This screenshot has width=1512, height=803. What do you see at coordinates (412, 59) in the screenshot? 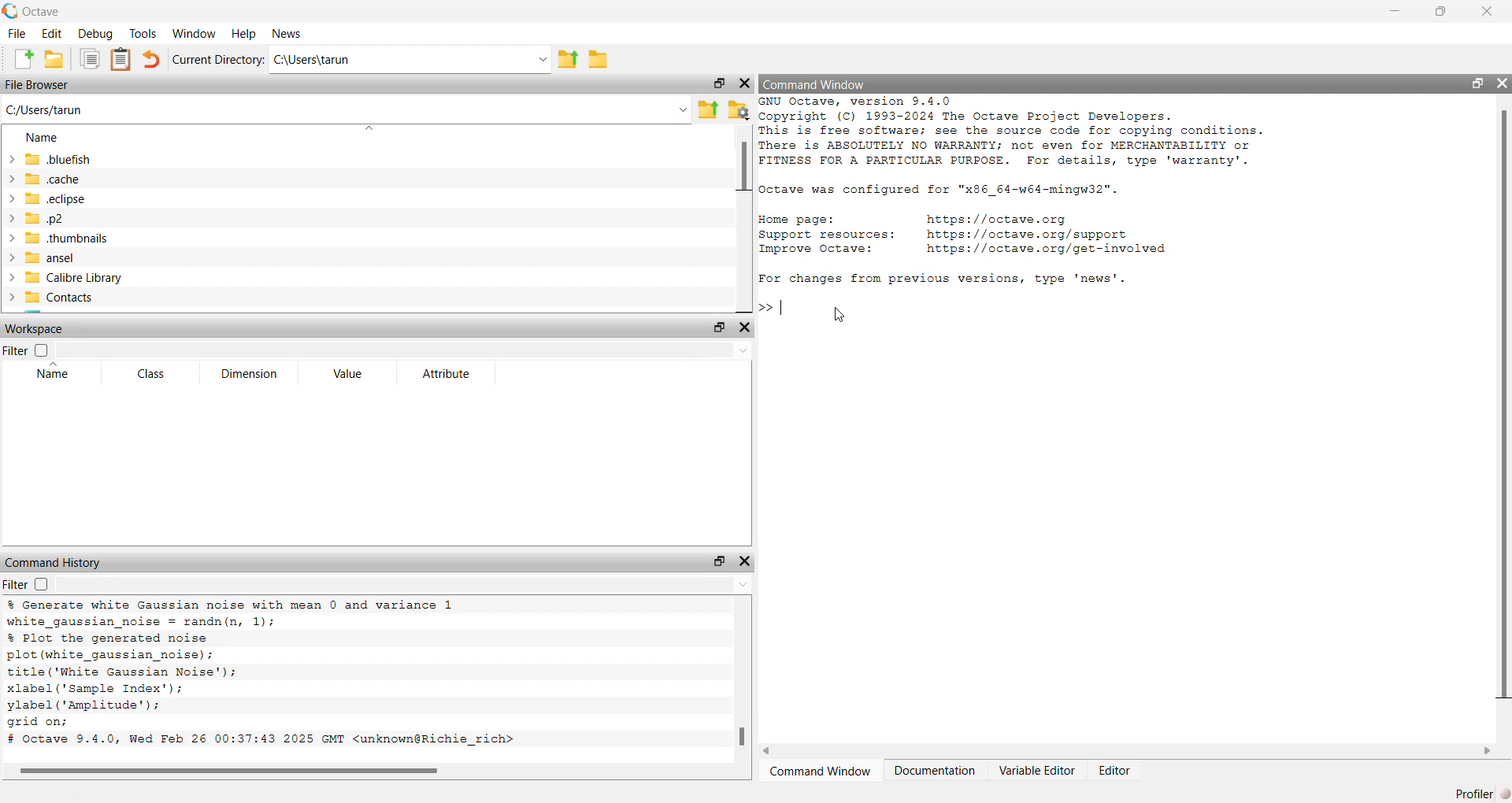
I see `Ci\Users\tarun -.` at bounding box center [412, 59].